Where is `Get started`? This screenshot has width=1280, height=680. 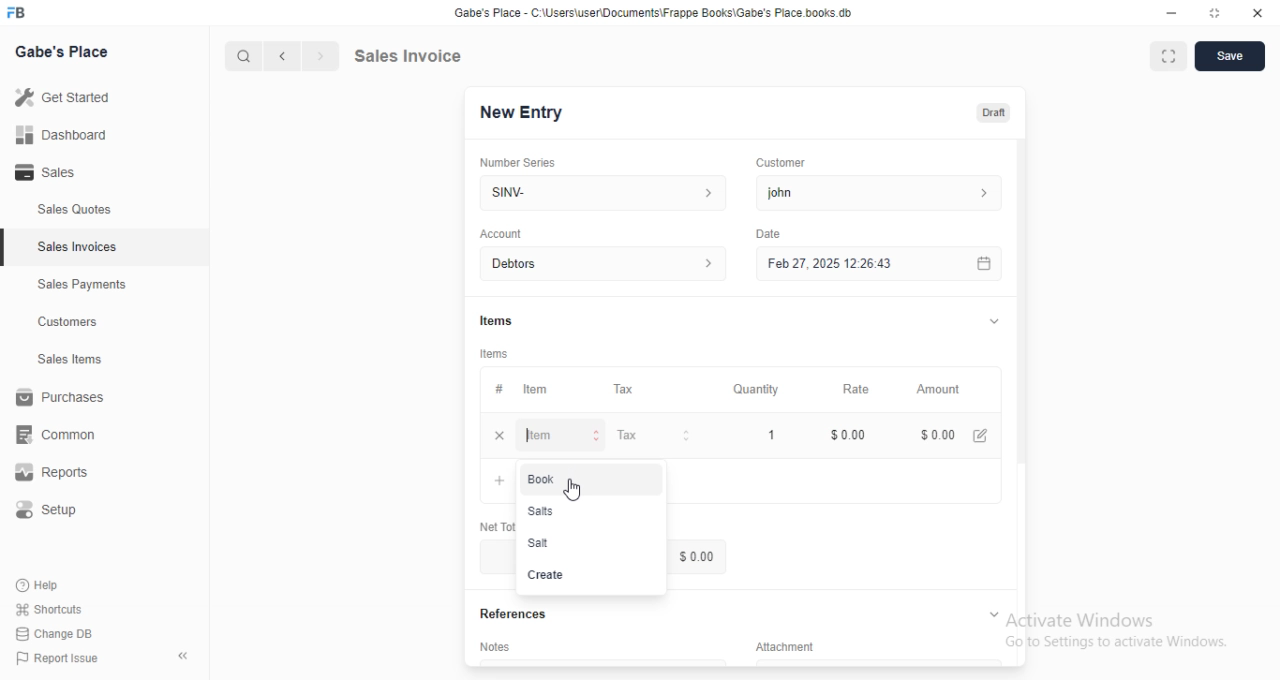
Get started is located at coordinates (65, 97).